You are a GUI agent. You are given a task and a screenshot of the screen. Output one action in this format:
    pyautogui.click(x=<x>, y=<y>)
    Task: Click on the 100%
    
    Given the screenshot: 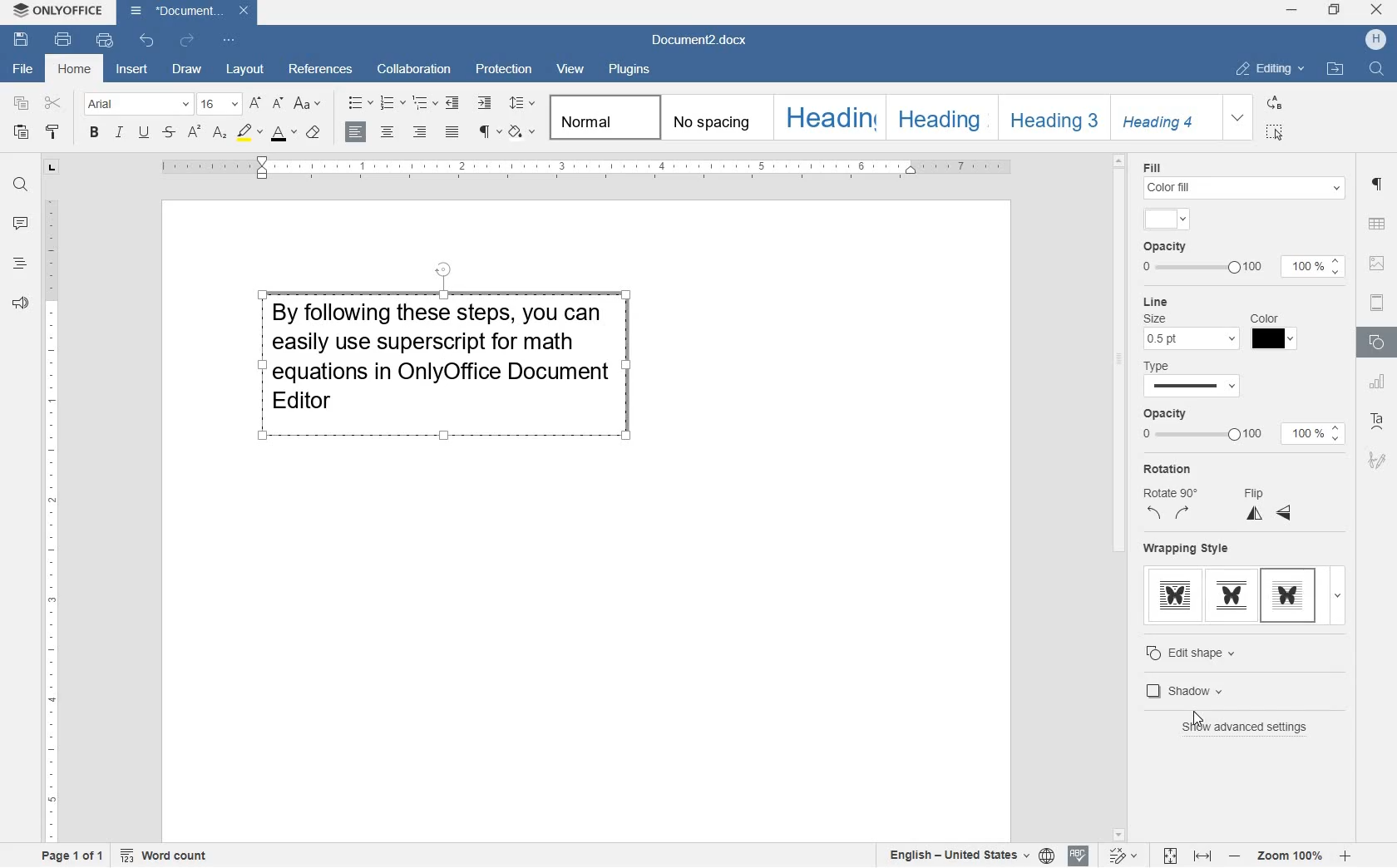 What is the action you would take?
    pyautogui.click(x=1311, y=266)
    